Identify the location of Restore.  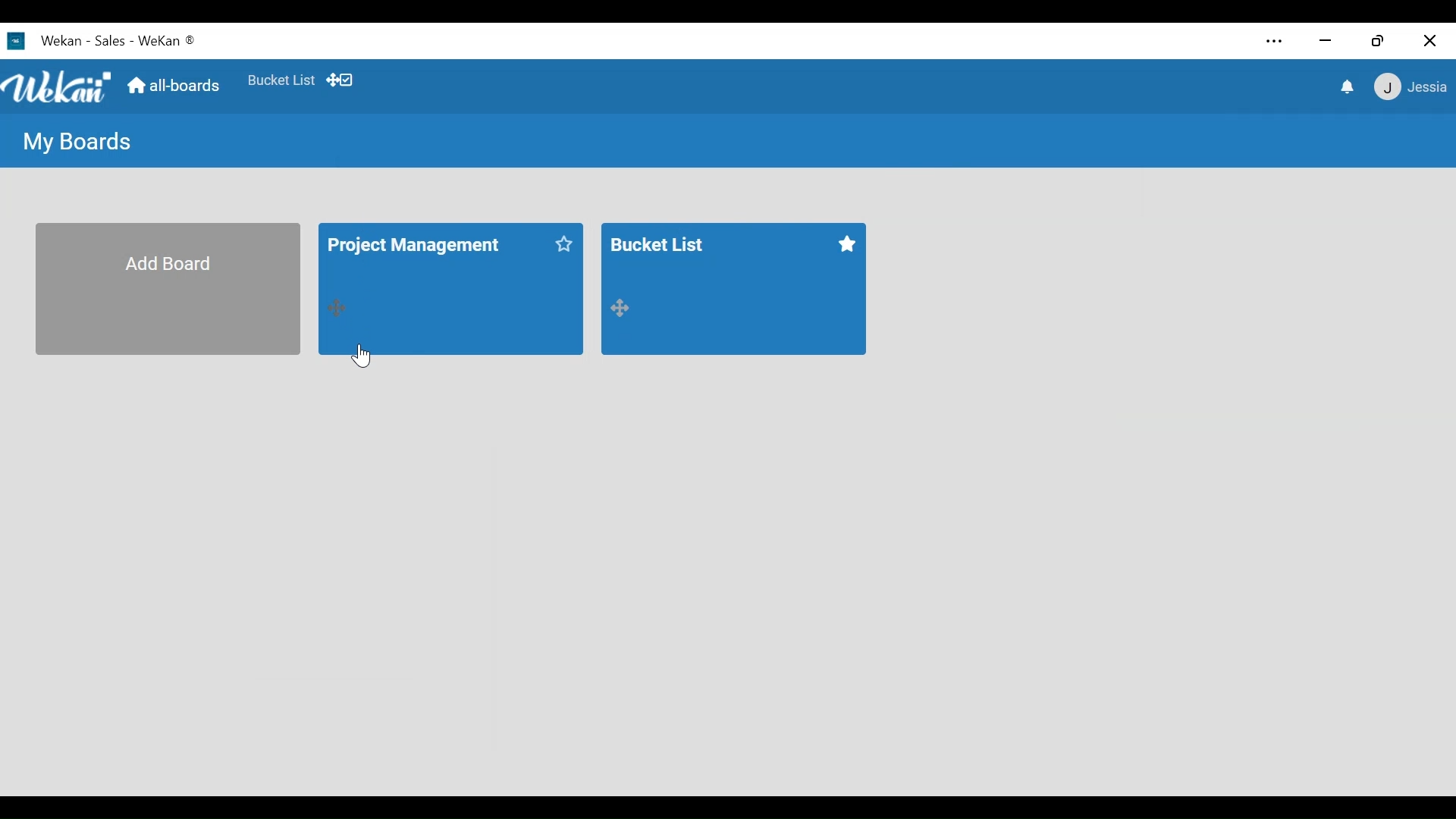
(1373, 37).